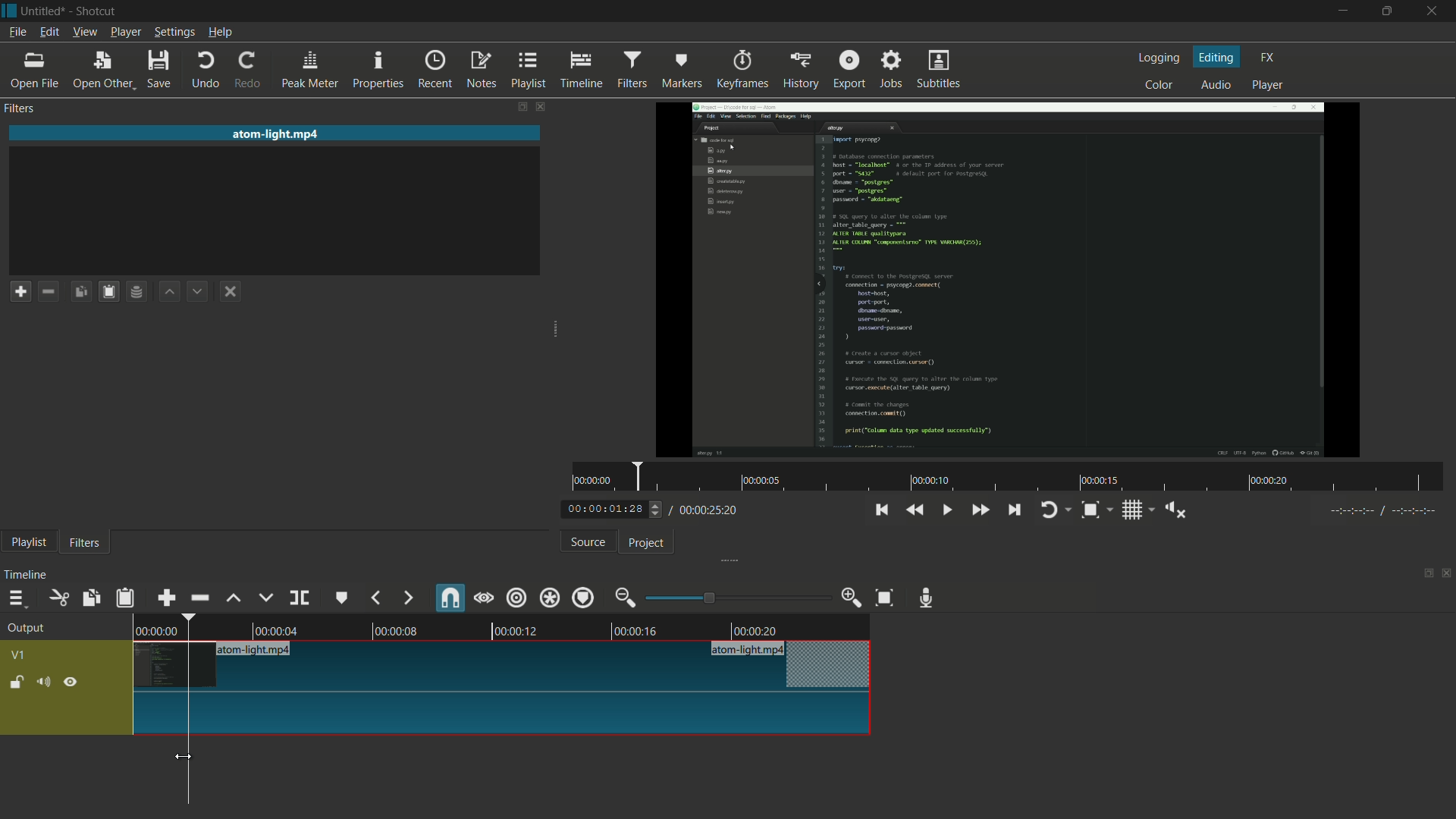  Describe the element at coordinates (1341, 11) in the screenshot. I see `minimize` at that location.